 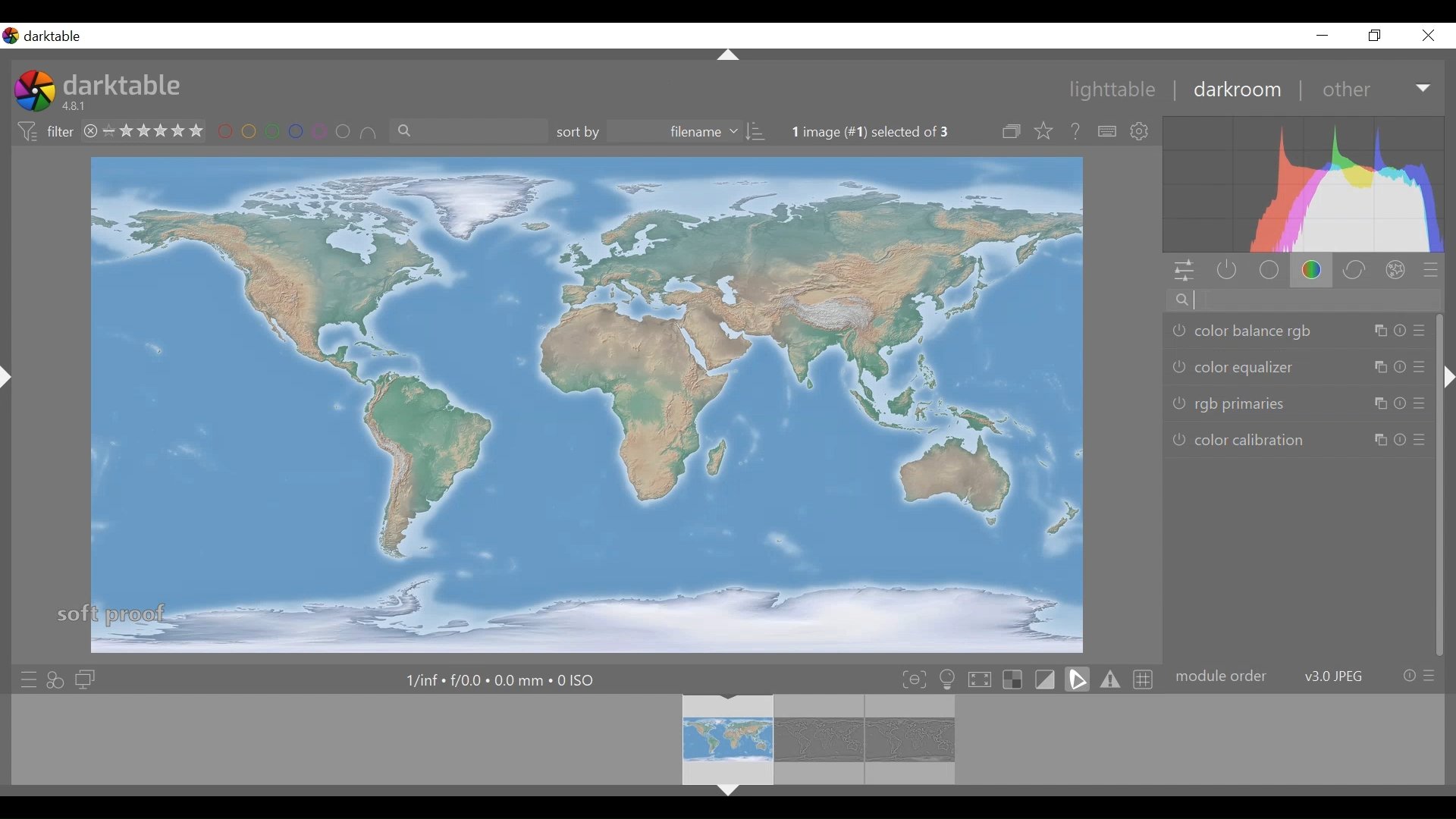 I want to click on presets, so click(x=1436, y=270).